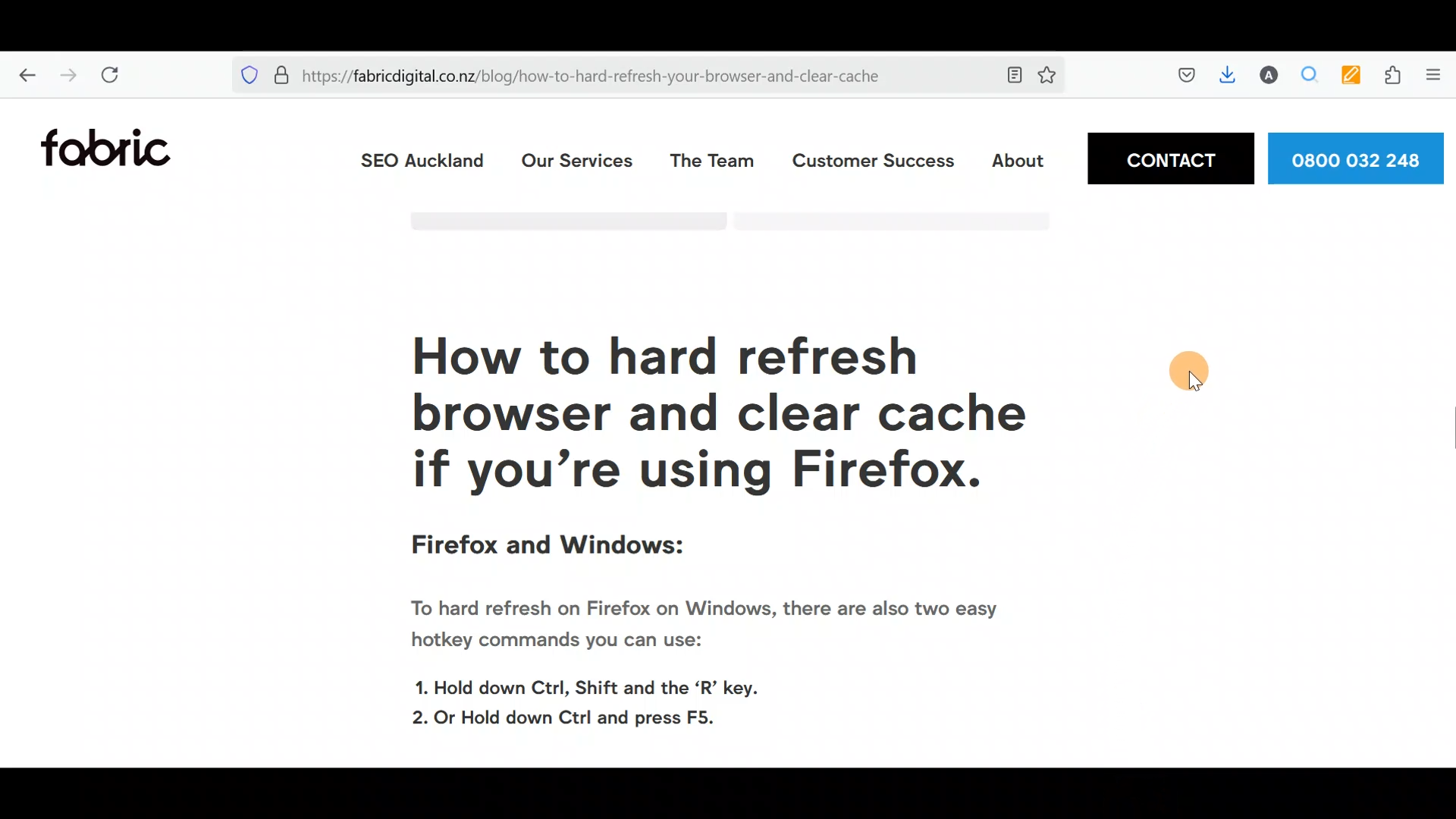 This screenshot has height=819, width=1456. What do you see at coordinates (711, 160) in the screenshot?
I see `The team` at bounding box center [711, 160].